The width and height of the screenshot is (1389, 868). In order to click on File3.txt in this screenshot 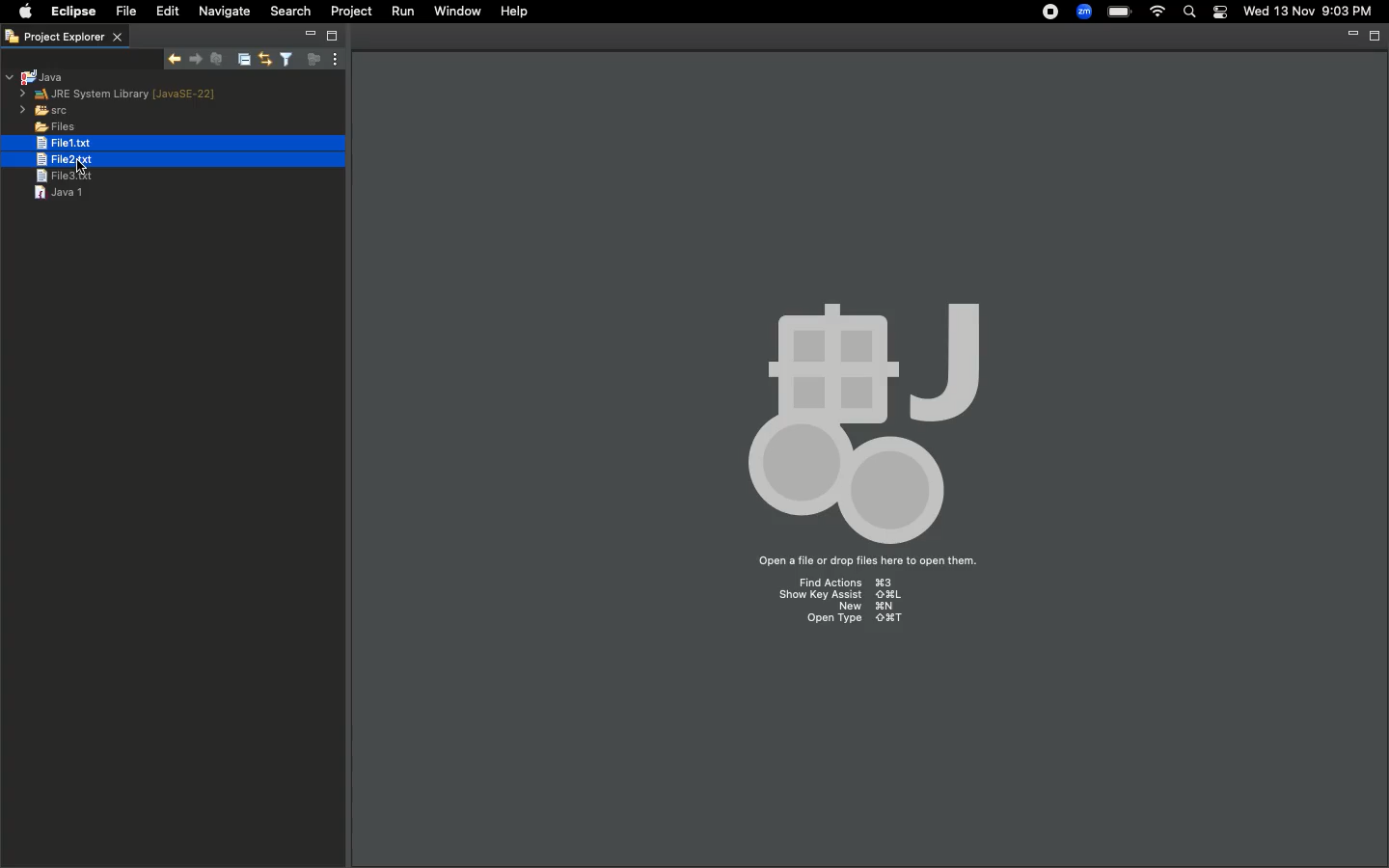, I will do `click(67, 178)`.